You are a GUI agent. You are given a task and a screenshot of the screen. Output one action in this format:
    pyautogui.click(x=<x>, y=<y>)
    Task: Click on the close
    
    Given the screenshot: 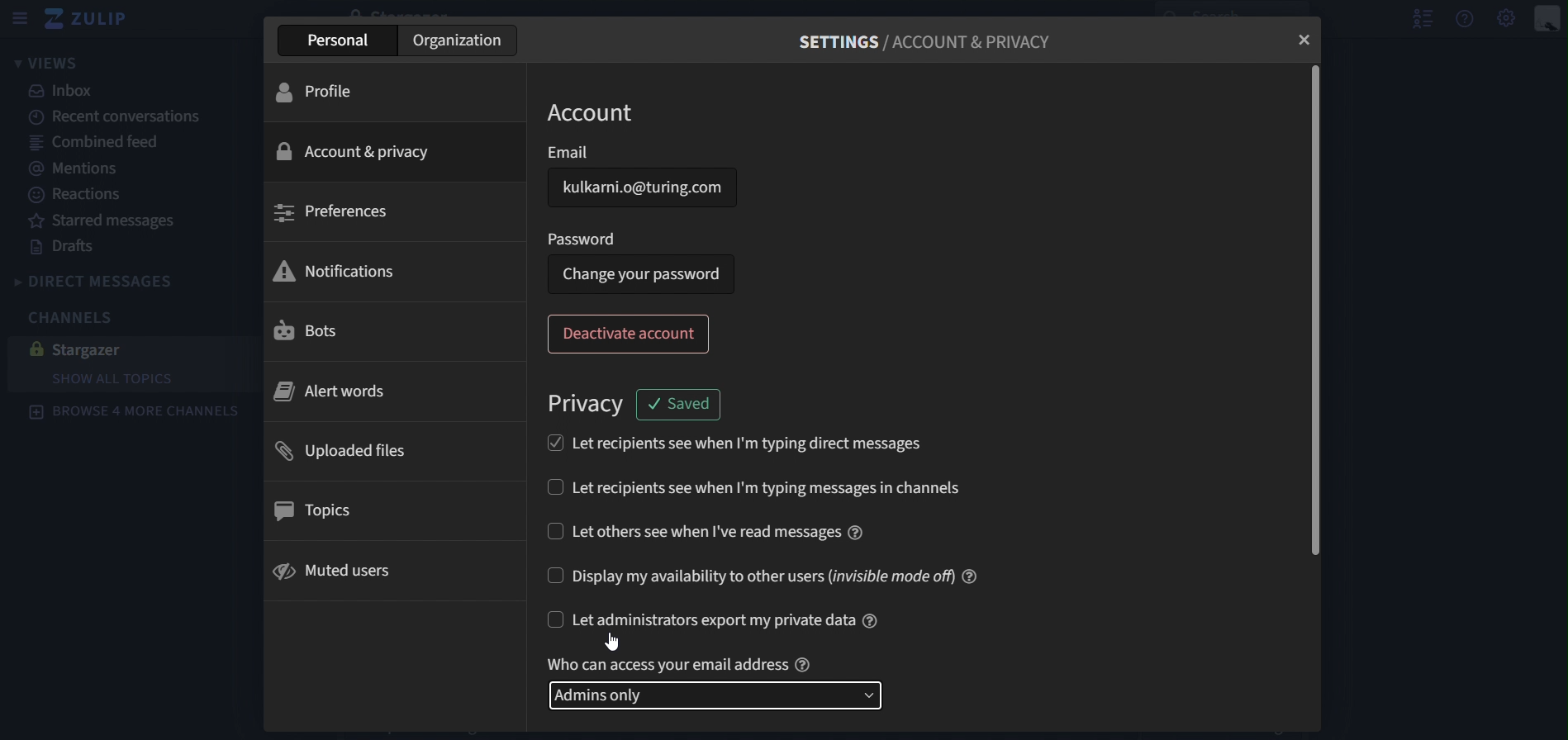 What is the action you would take?
    pyautogui.click(x=1305, y=39)
    